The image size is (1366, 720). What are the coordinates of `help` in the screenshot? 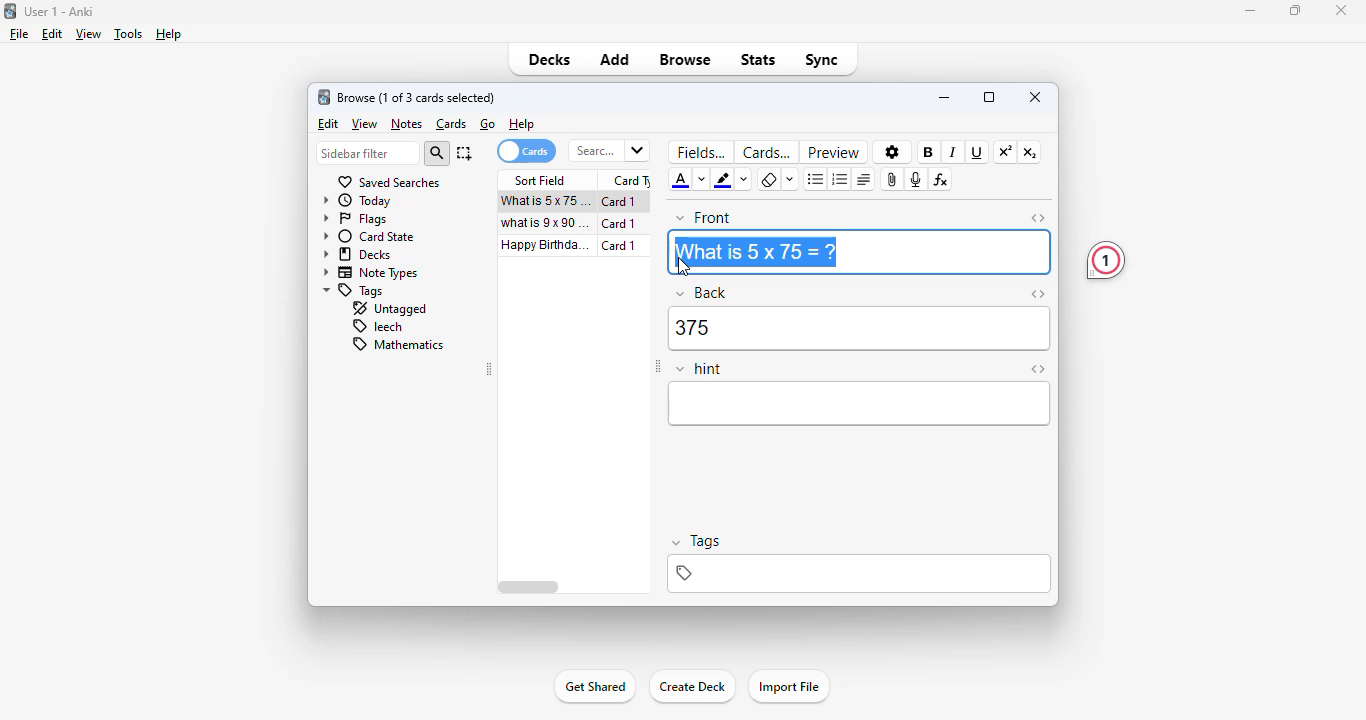 It's located at (169, 35).